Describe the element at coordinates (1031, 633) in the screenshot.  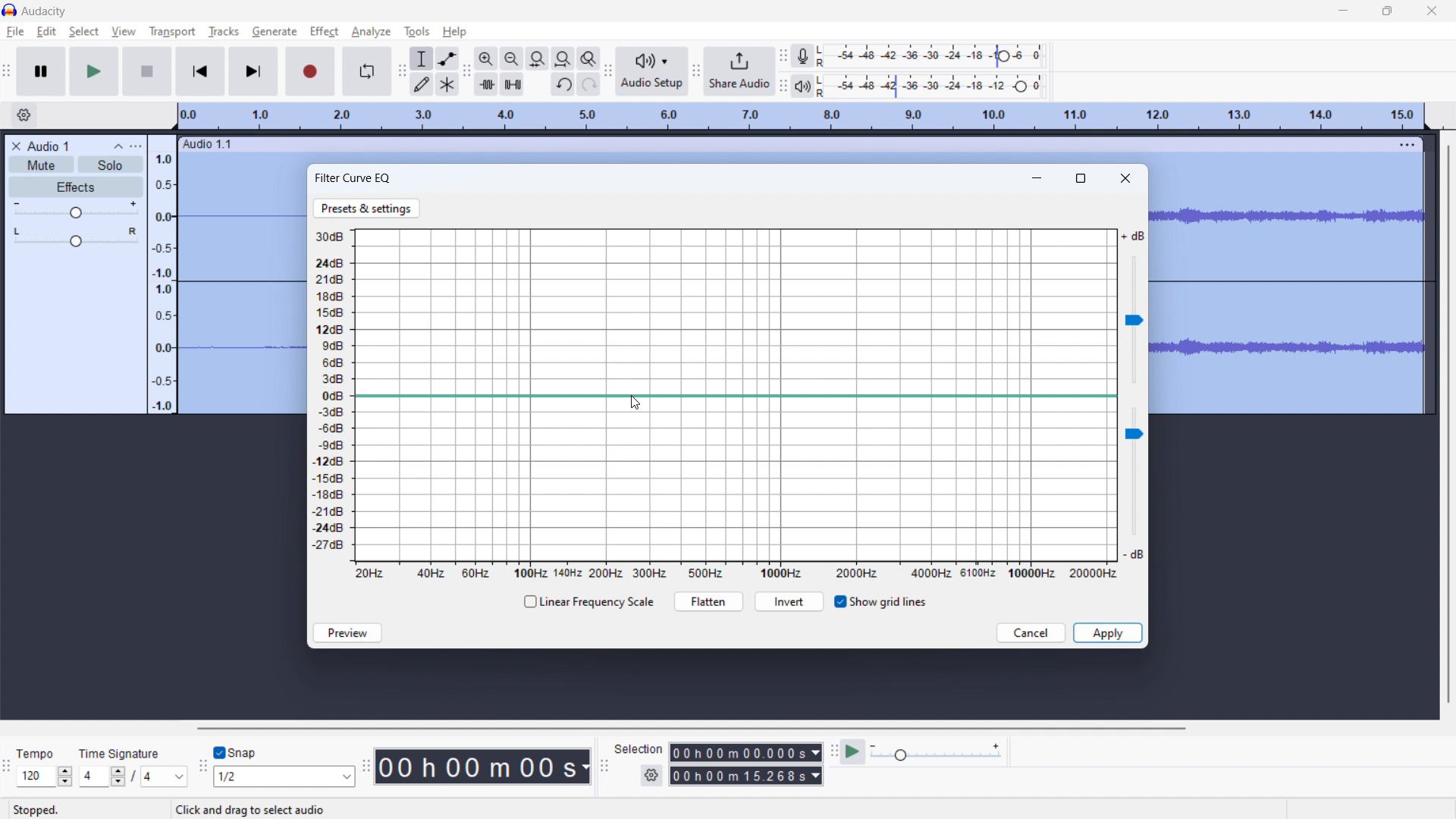
I see `cancel` at that location.